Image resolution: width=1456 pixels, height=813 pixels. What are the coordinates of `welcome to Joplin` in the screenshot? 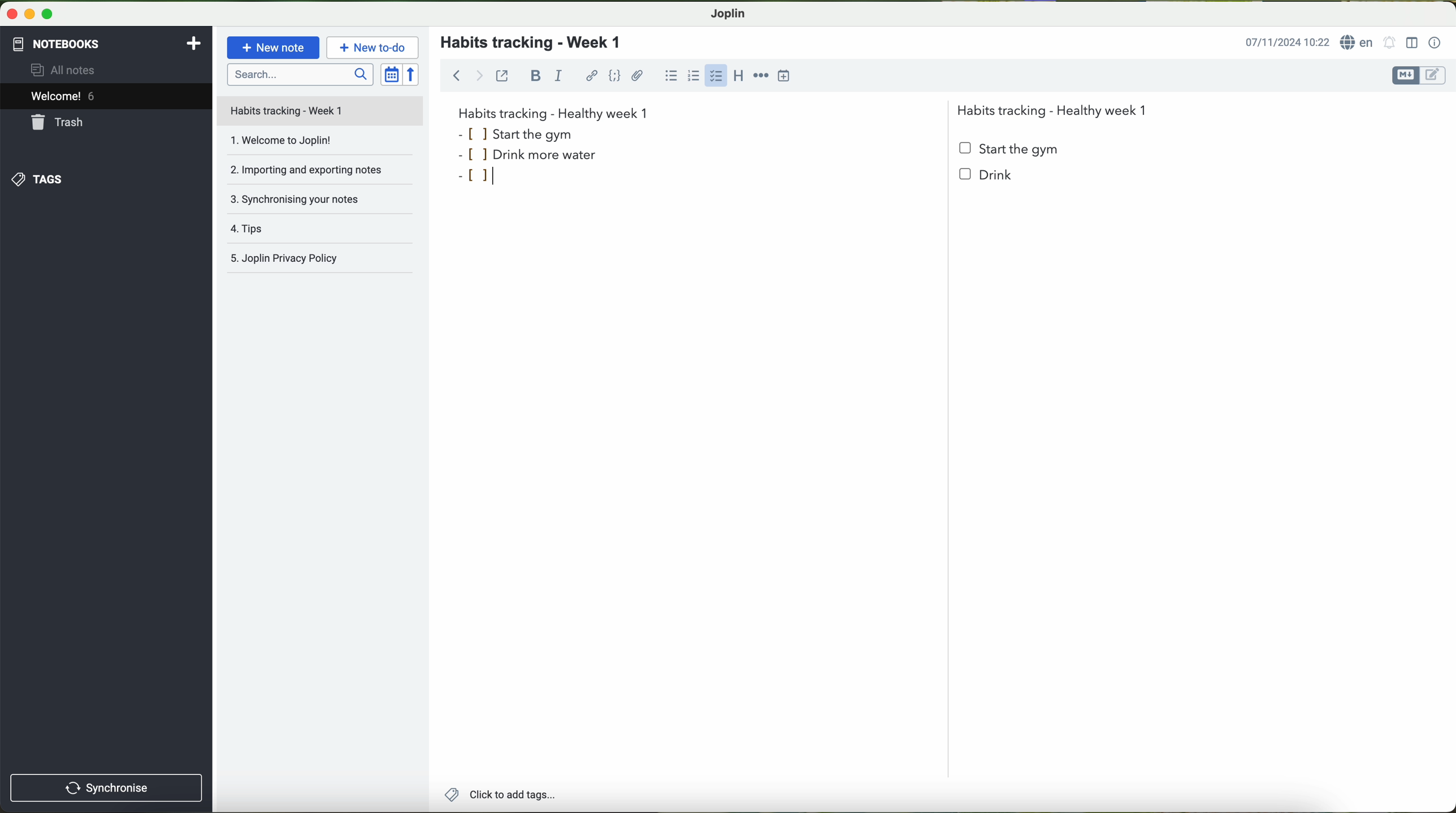 It's located at (319, 145).